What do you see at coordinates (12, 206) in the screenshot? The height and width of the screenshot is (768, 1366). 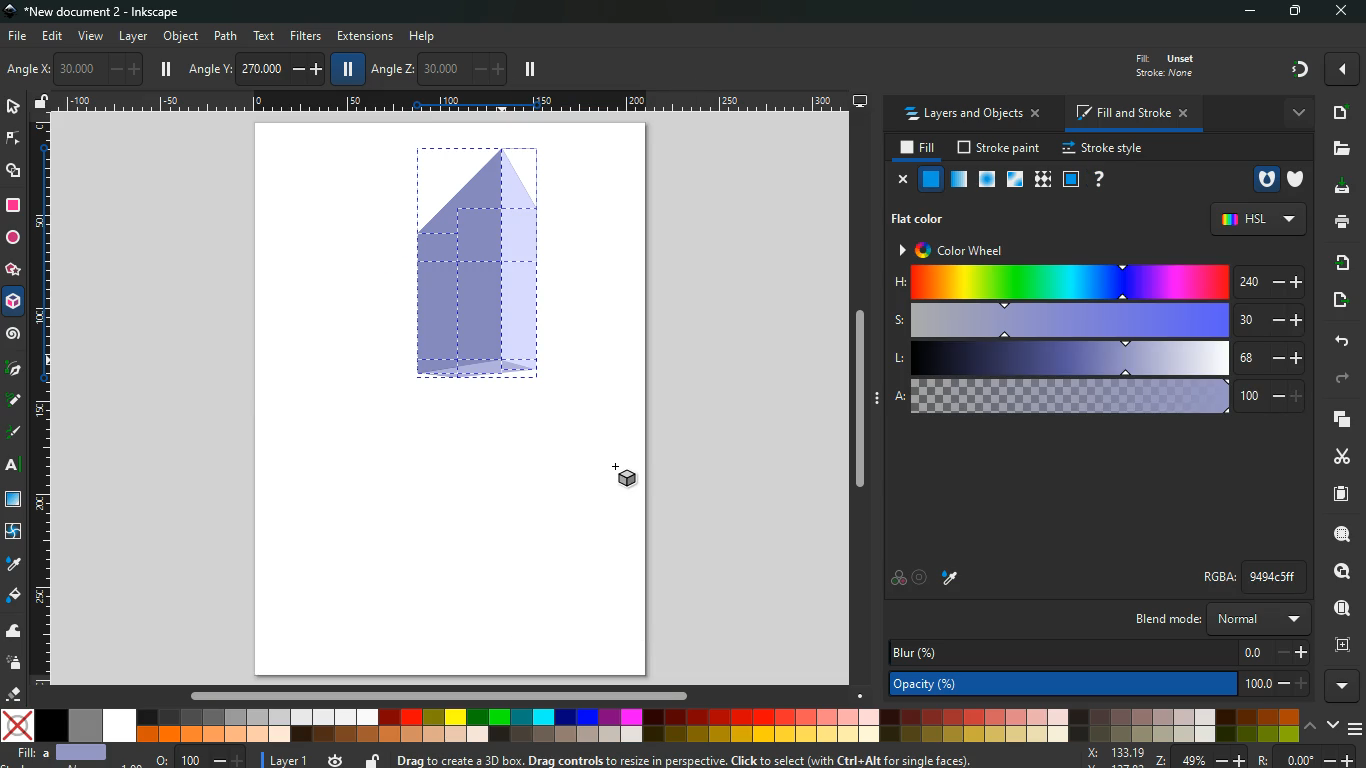 I see `rectangle` at bounding box center [12, 206].